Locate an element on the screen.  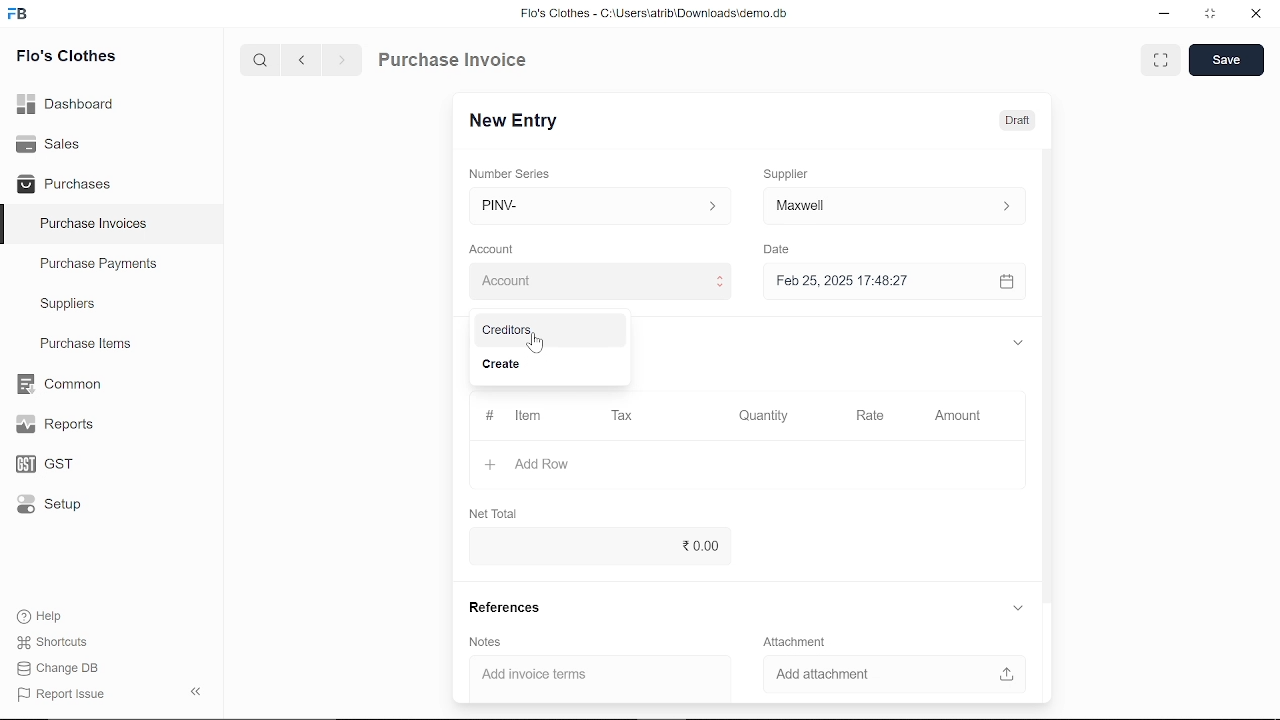
+ Add Row is located at coordinates (521, 463).